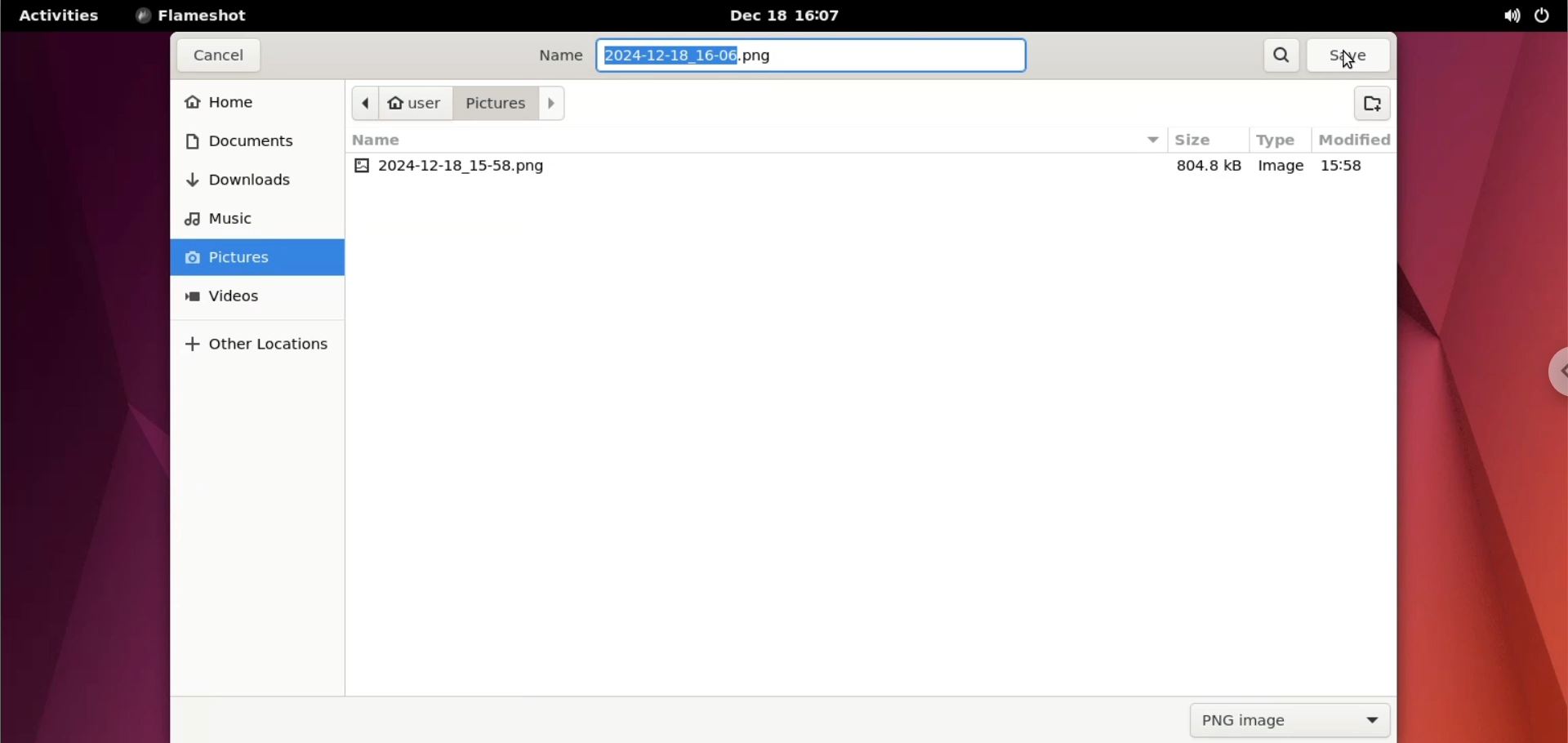  I want to click on Activities, so click(56, 16).